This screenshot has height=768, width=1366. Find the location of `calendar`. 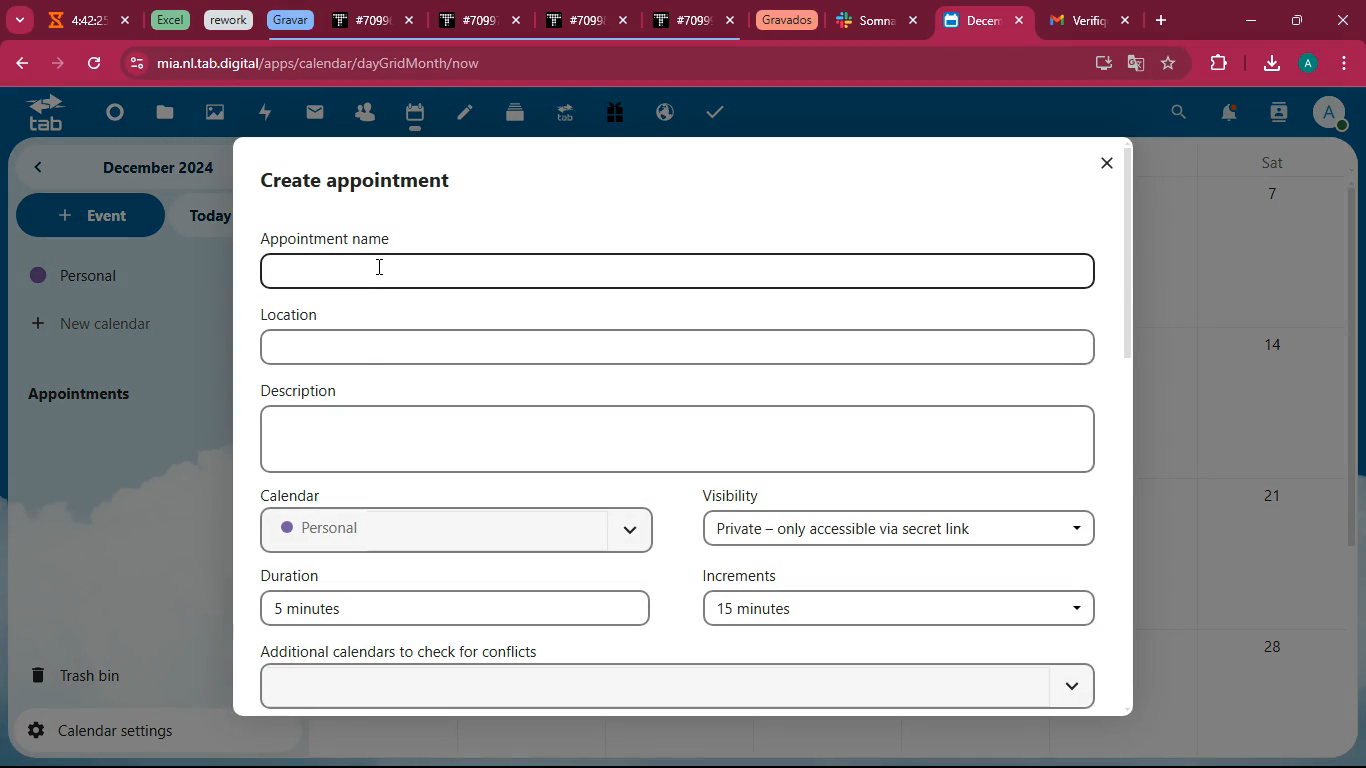

calendar is located at coordinates (414, 116).